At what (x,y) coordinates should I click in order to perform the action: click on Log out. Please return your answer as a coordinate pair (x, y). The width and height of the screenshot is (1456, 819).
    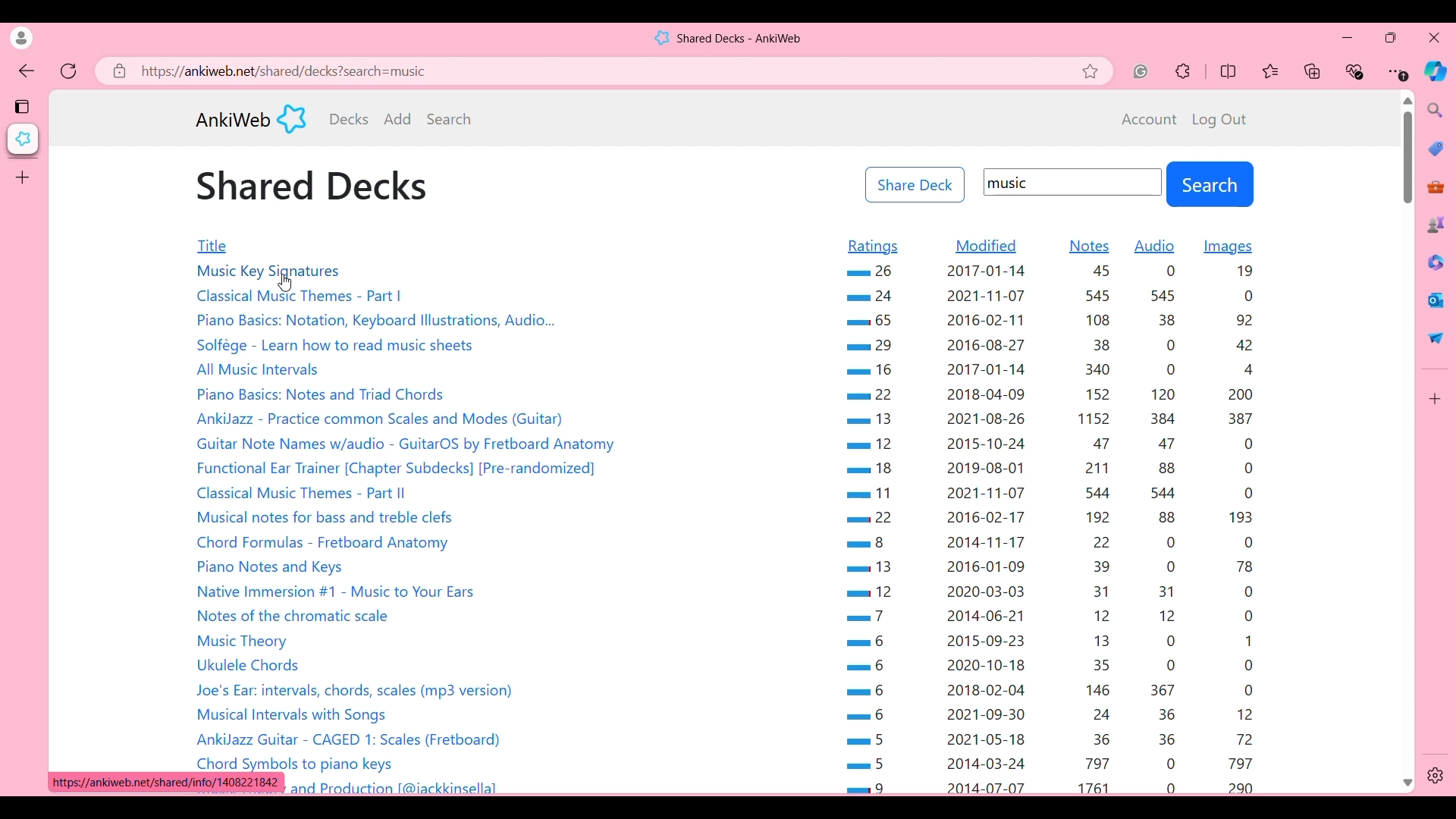
    Looking at the image, I should click on (1219, 120).